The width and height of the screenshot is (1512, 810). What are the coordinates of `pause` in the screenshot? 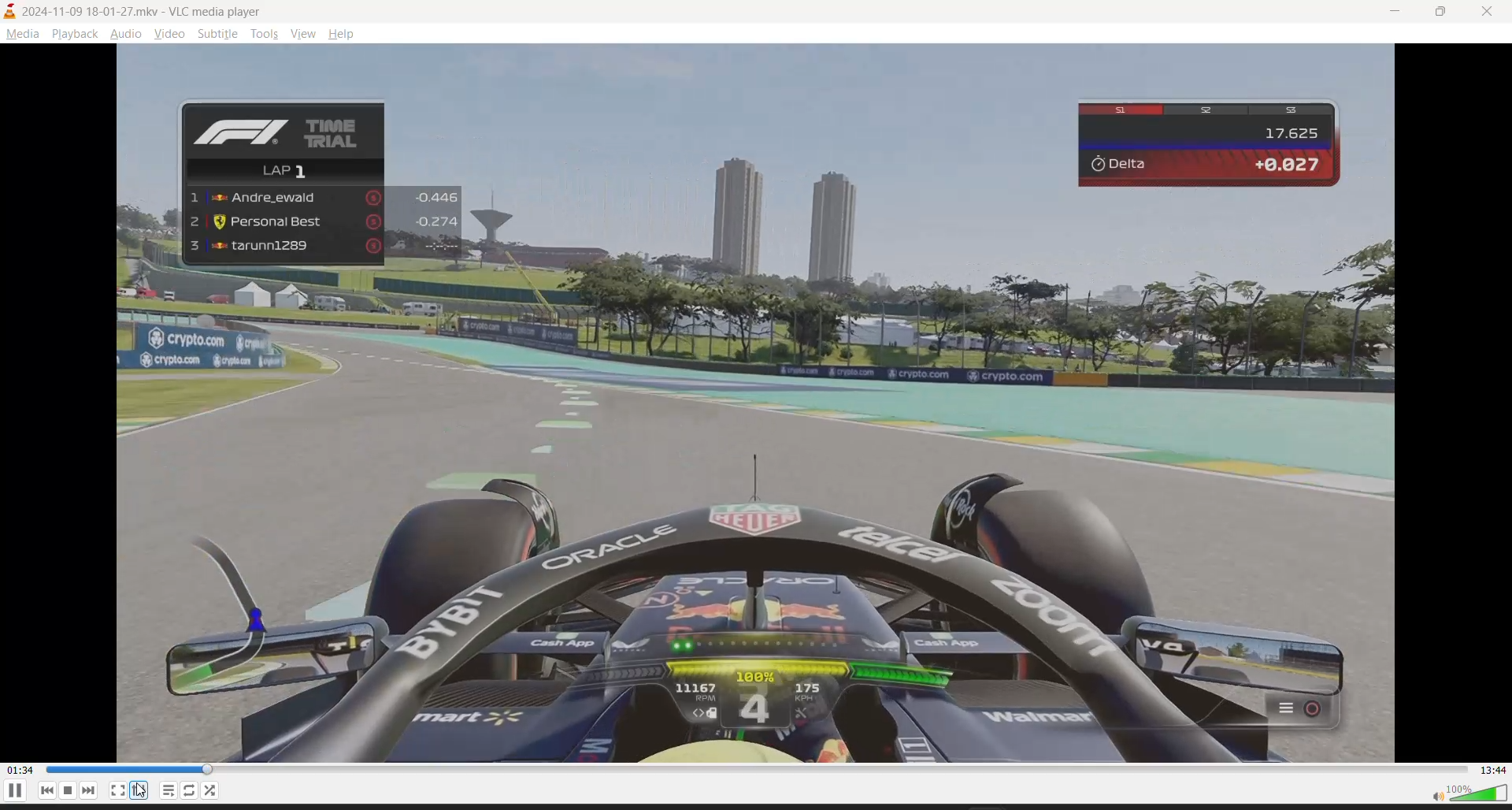 It's located at (14, 794).